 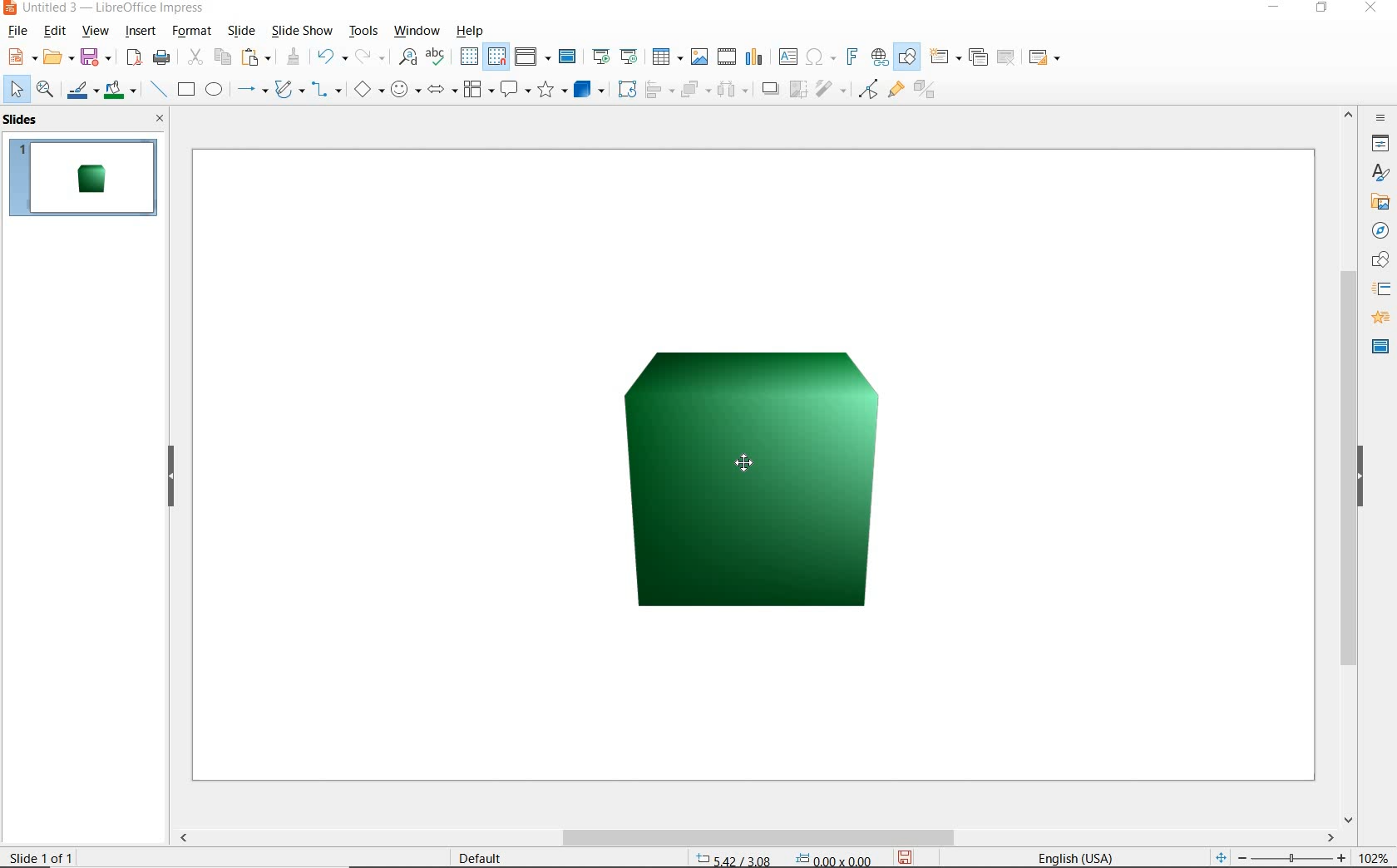 I want to click on insert chart, so click(x=753, y=57).